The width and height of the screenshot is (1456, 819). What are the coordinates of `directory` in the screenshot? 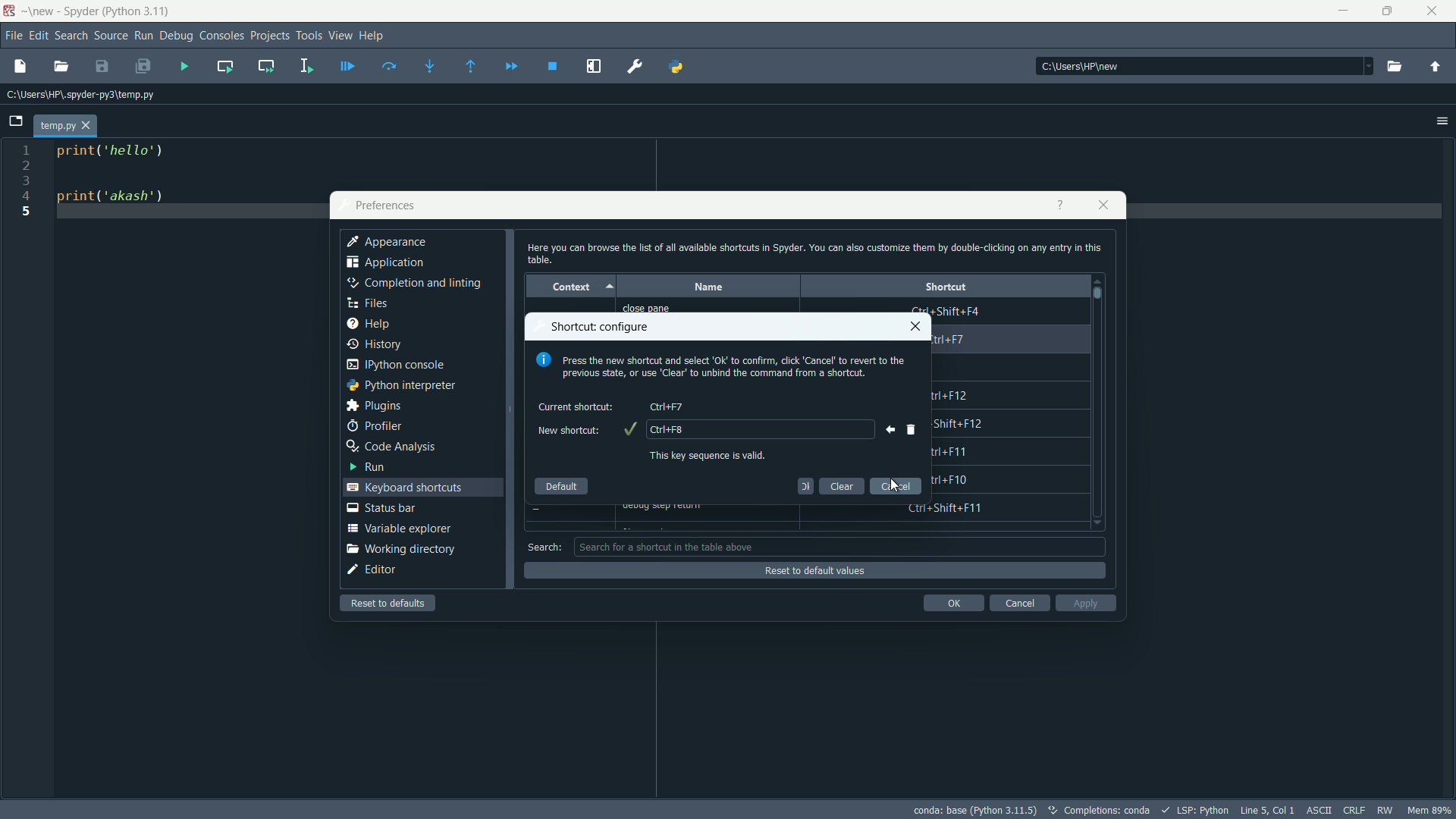 It's located at (1084, 67).